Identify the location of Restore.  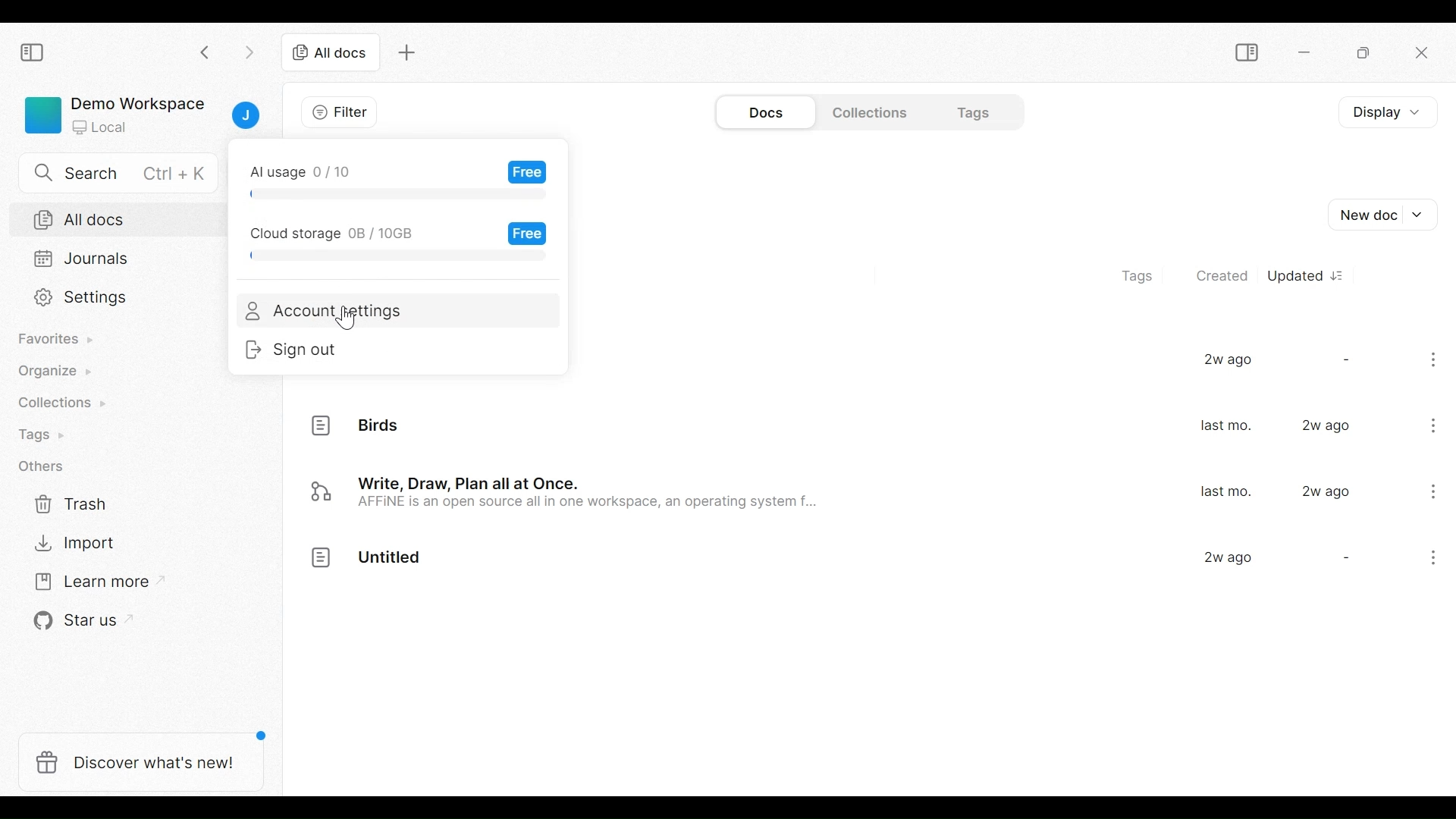
(1362, 53).